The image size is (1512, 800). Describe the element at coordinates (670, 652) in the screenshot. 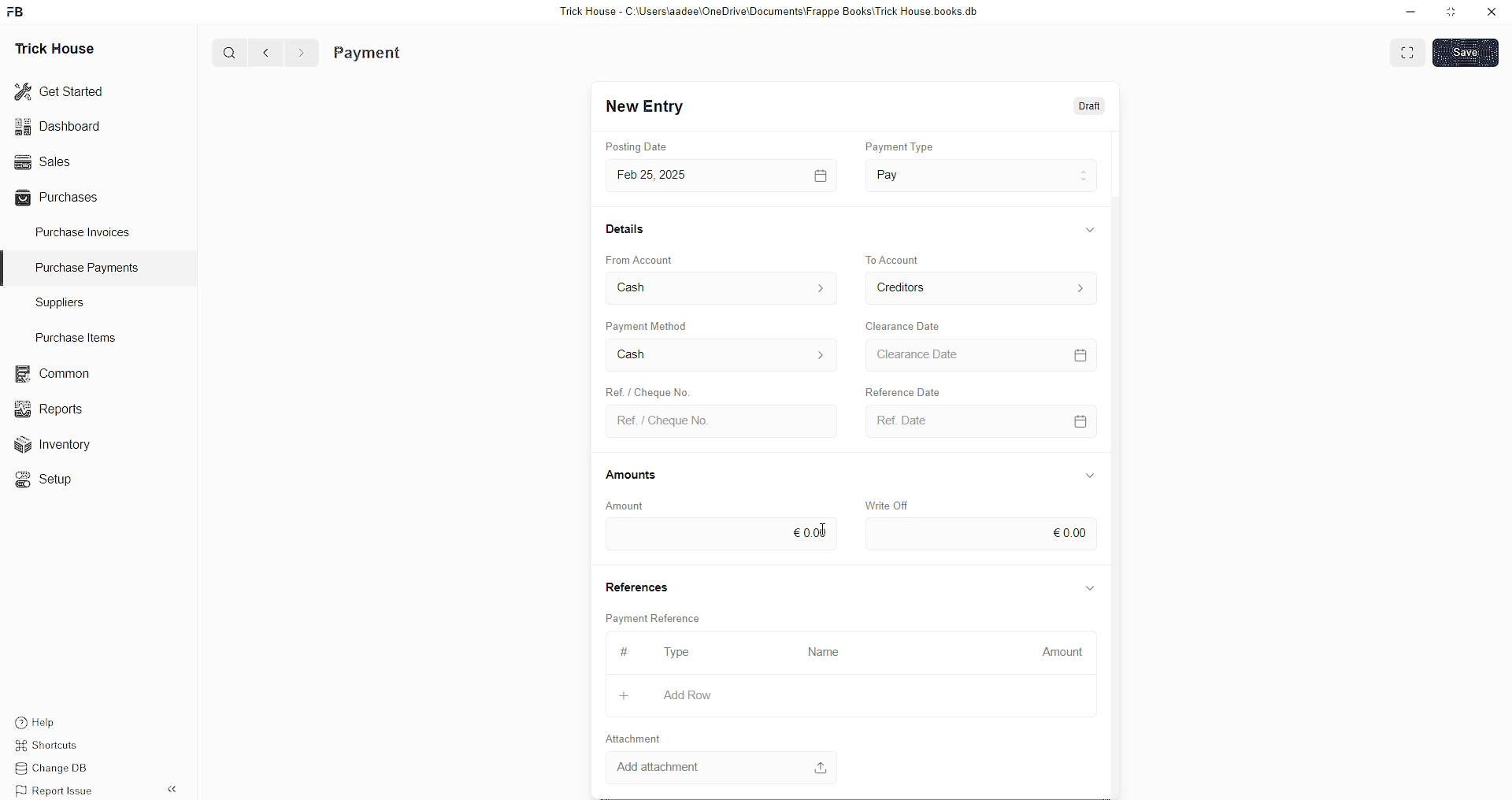

I see `type` at that location.